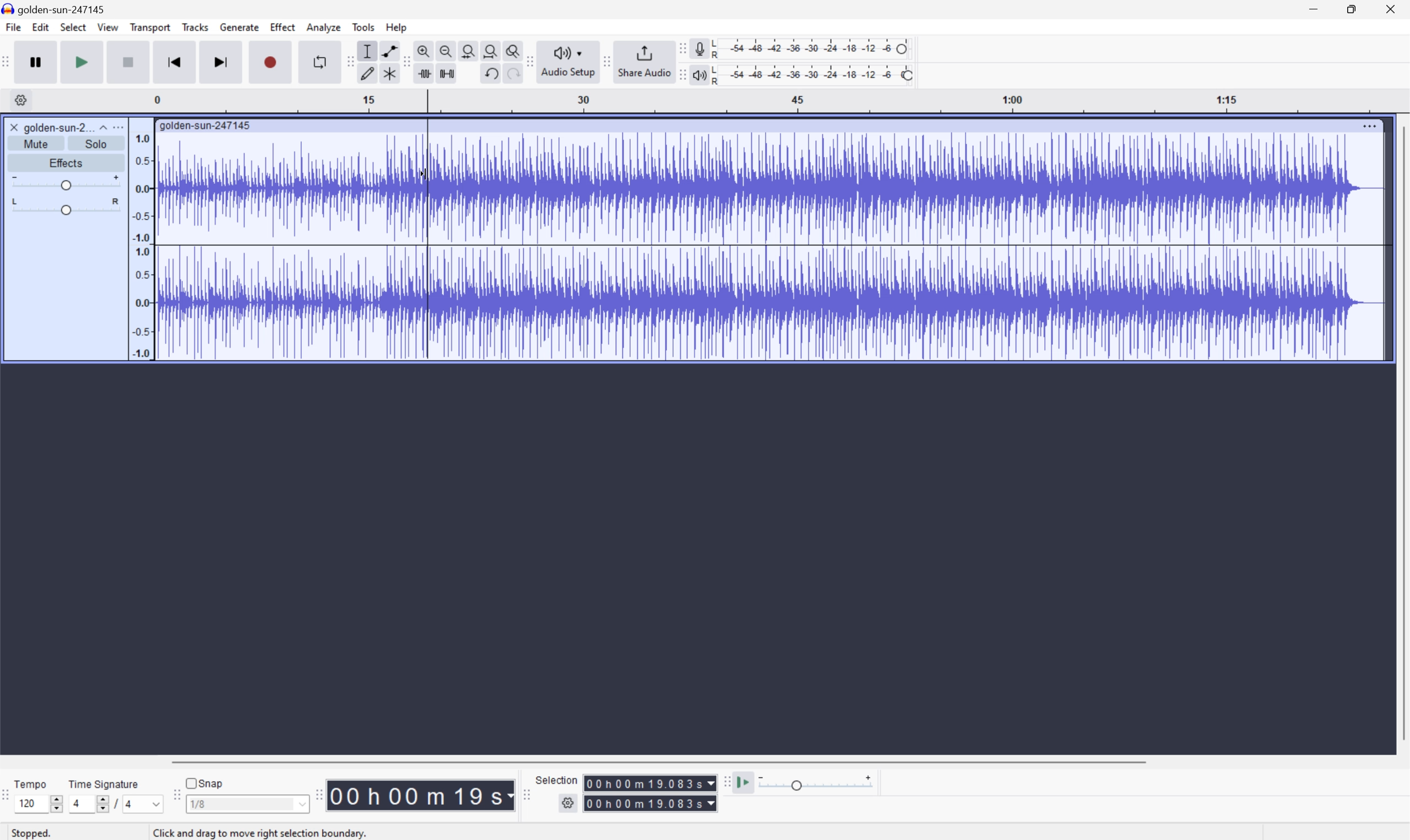  Describe the element at coordinates (301, 806) in the screenshot. I see `Drop Down` at that location.